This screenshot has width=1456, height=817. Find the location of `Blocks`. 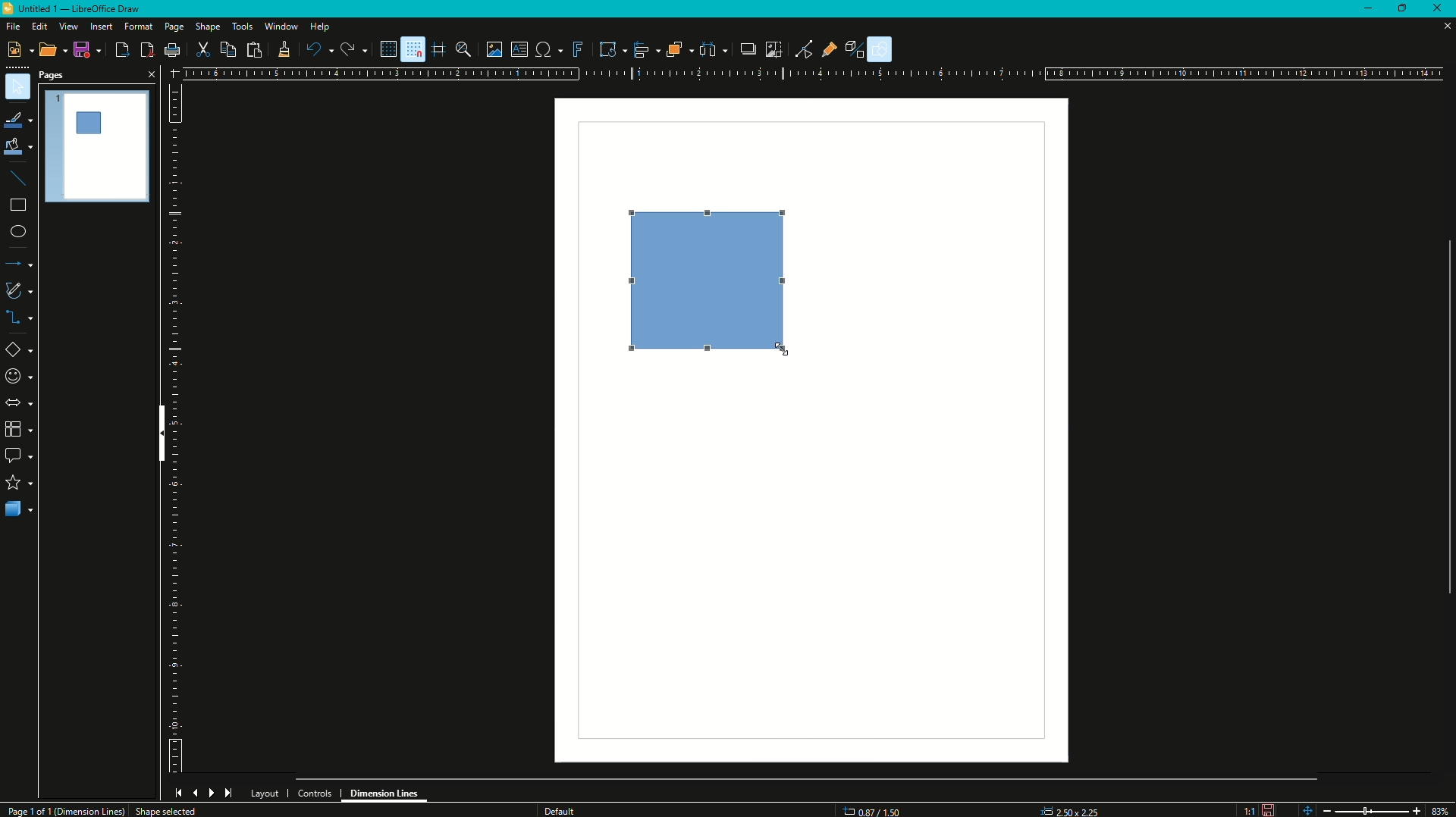

Blocks is located at coordinates (17, 429).